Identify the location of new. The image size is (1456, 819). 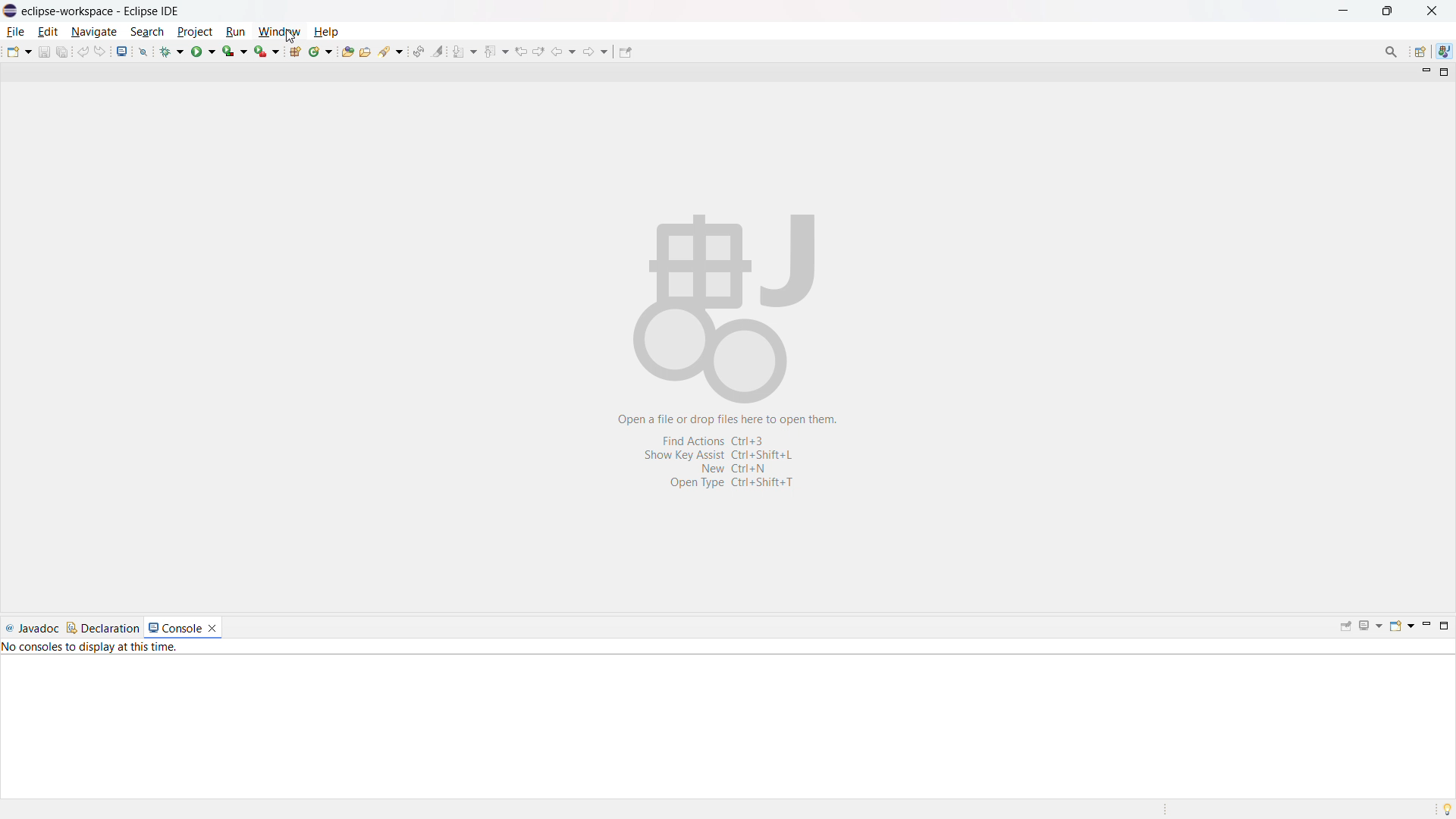
(17, 52).